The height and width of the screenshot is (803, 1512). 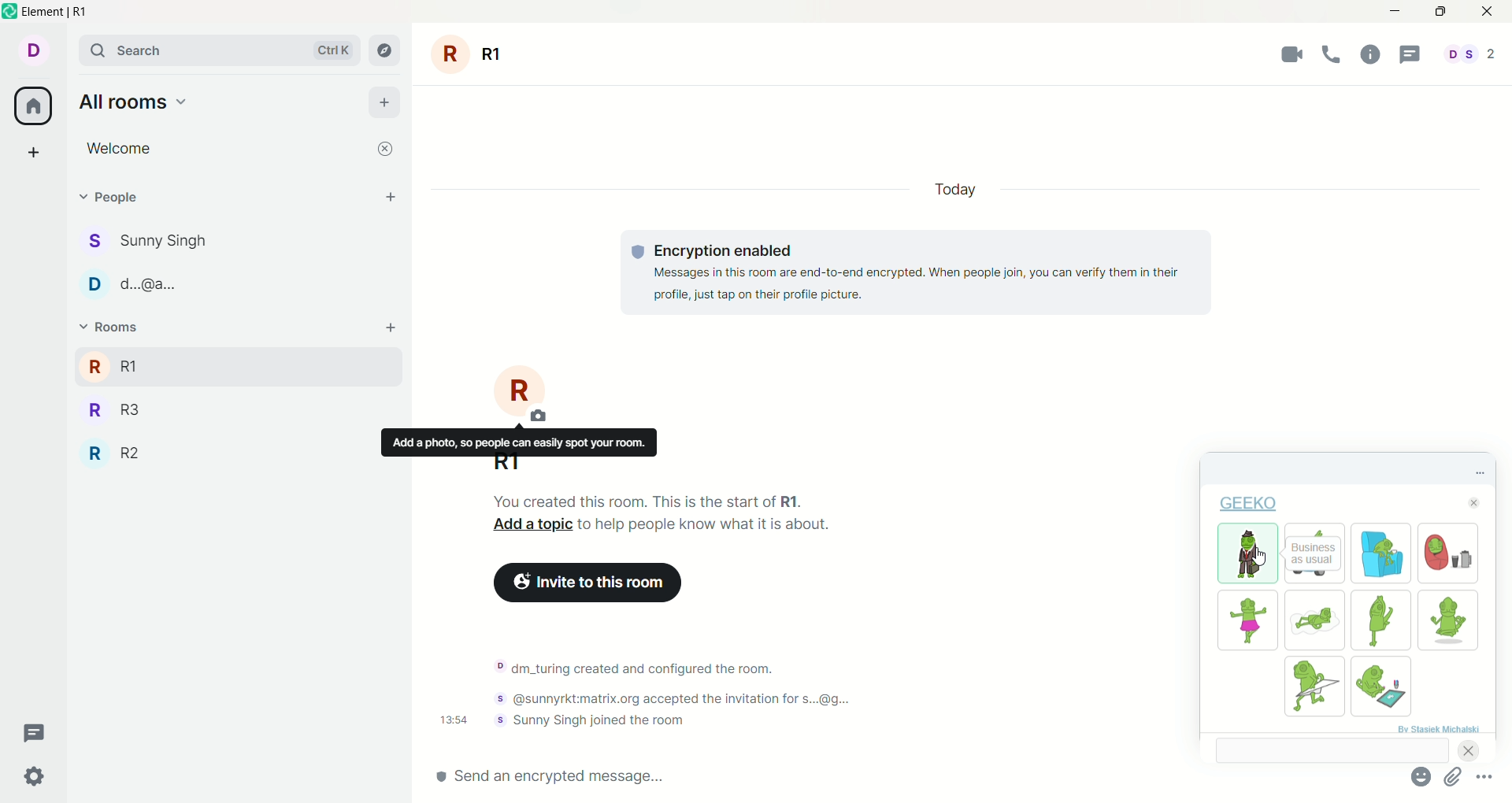 I want to click on Geeko meditating sticker, so click(x=1447, y=620).